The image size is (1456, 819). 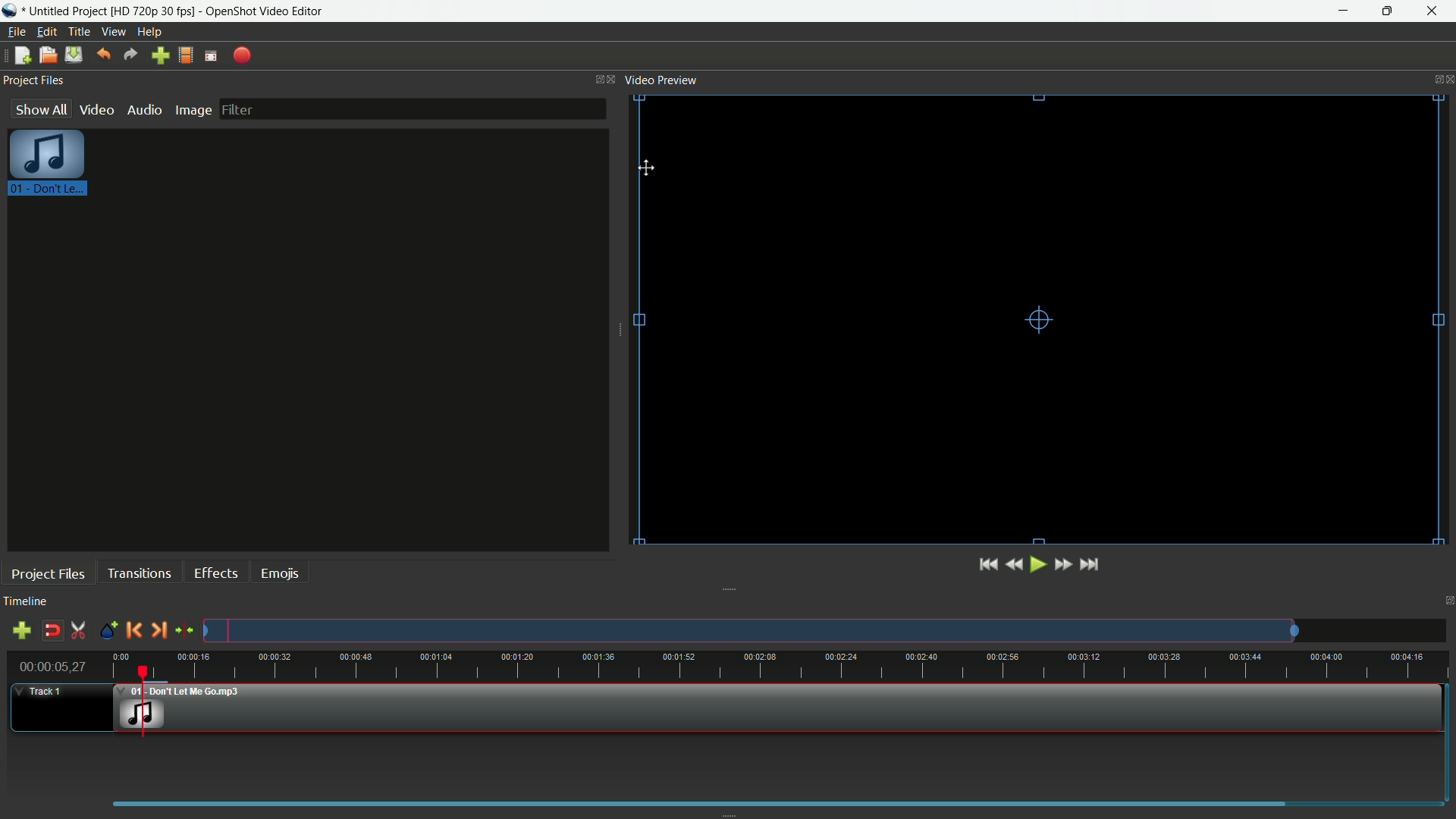 What do you see at coordinates (1390, 11) in the screenshot?
I see `maximize` at bounding box center [1390, 11].